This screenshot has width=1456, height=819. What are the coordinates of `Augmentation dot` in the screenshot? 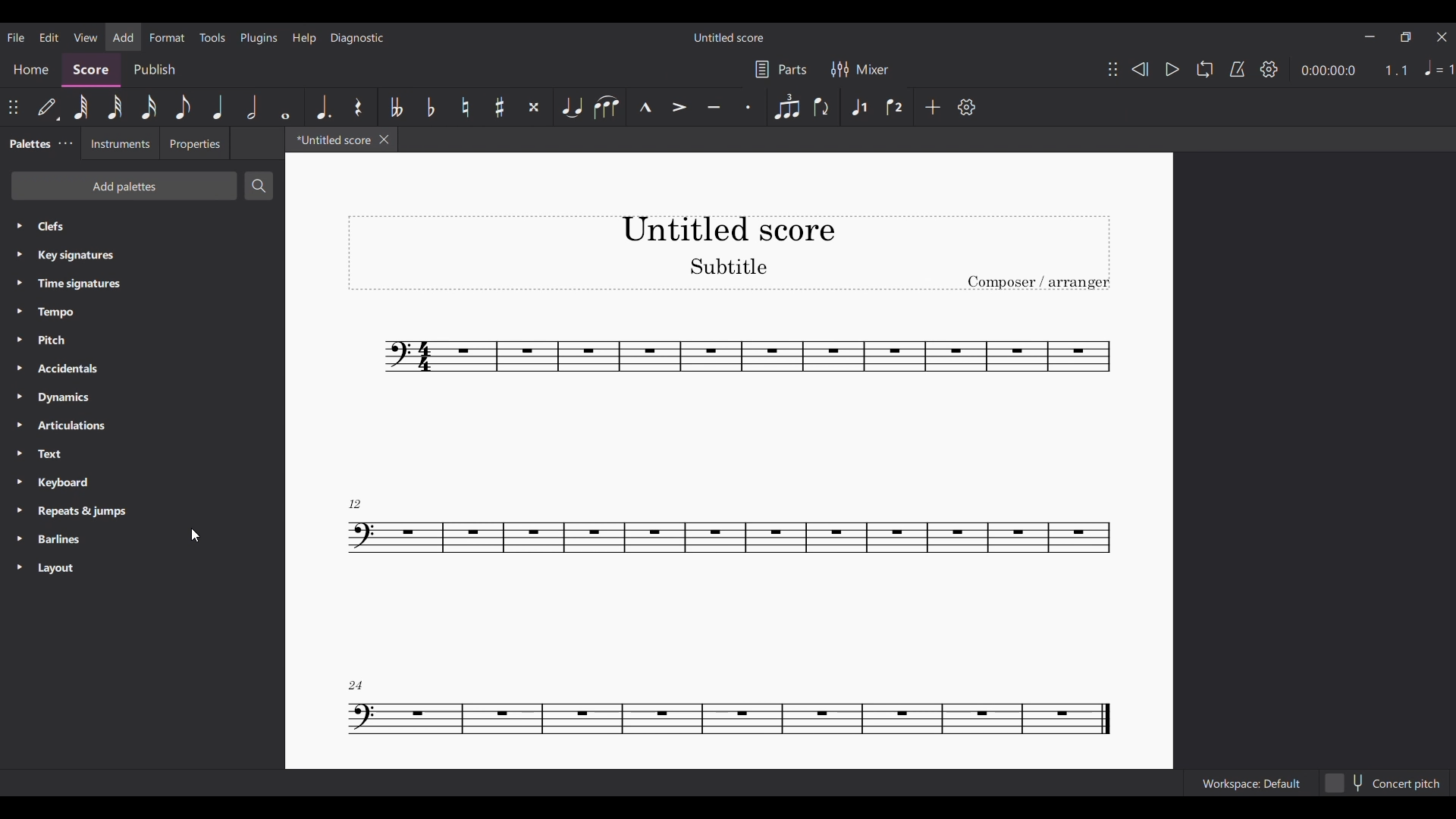 It's located at (748, 108).